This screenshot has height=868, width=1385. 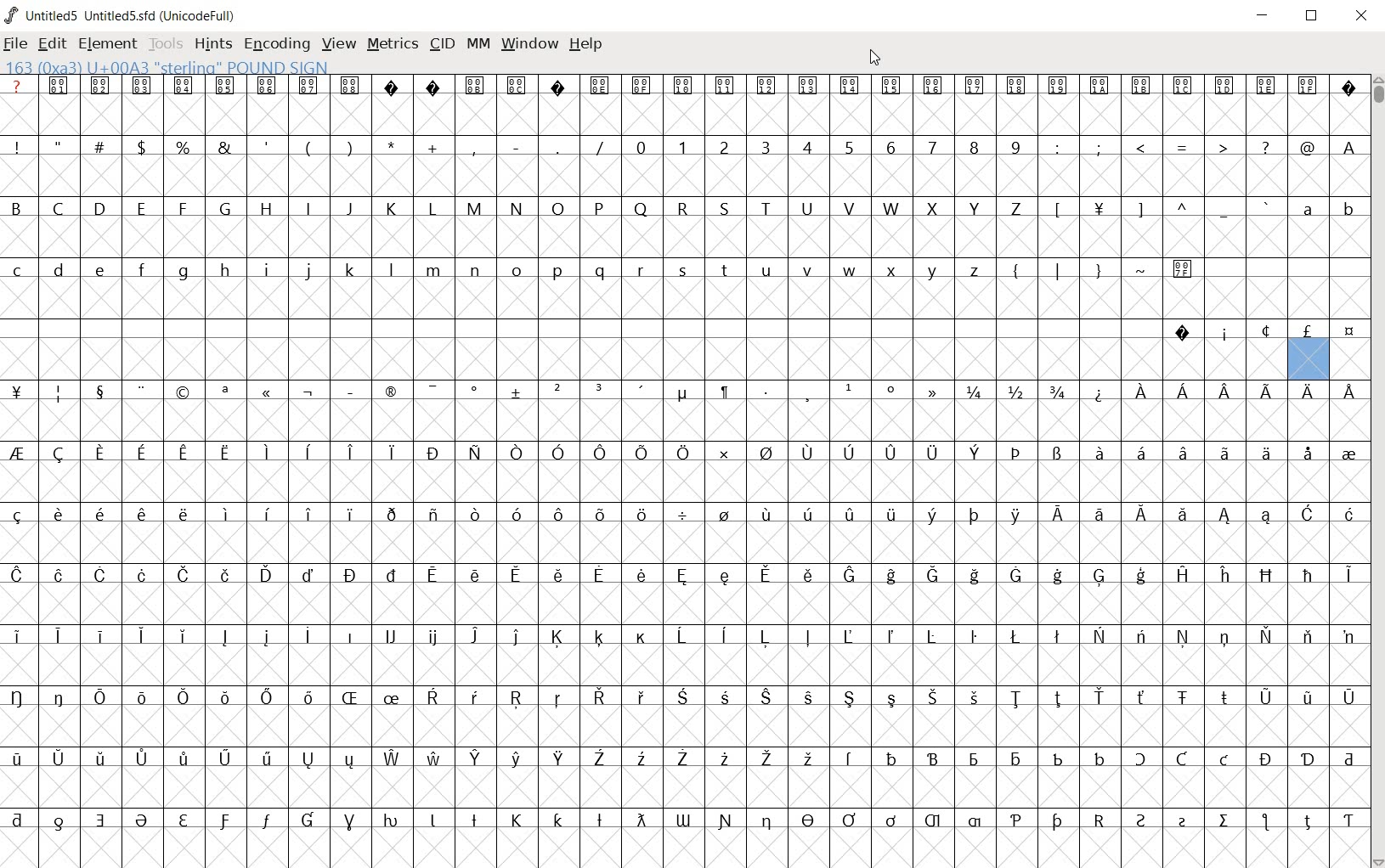 What do you see at coordinates (184, 637) in the screenshot?
I see `Symbol` at bounding box center [184, 637].